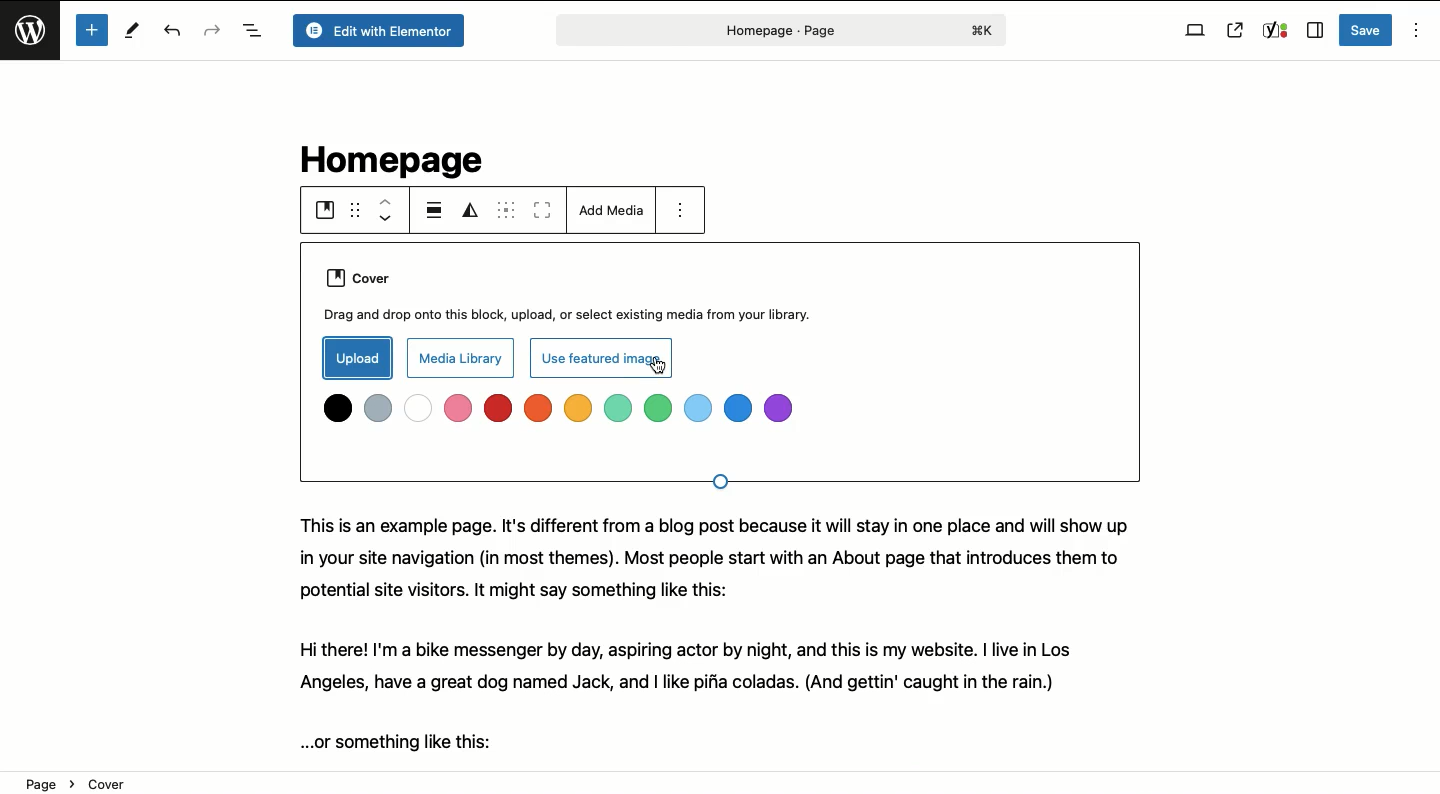 The image size is (1440, 794). Describe the element at coordinates (33, 39) in the screenshot. I see `Wordpress logo` at that location.